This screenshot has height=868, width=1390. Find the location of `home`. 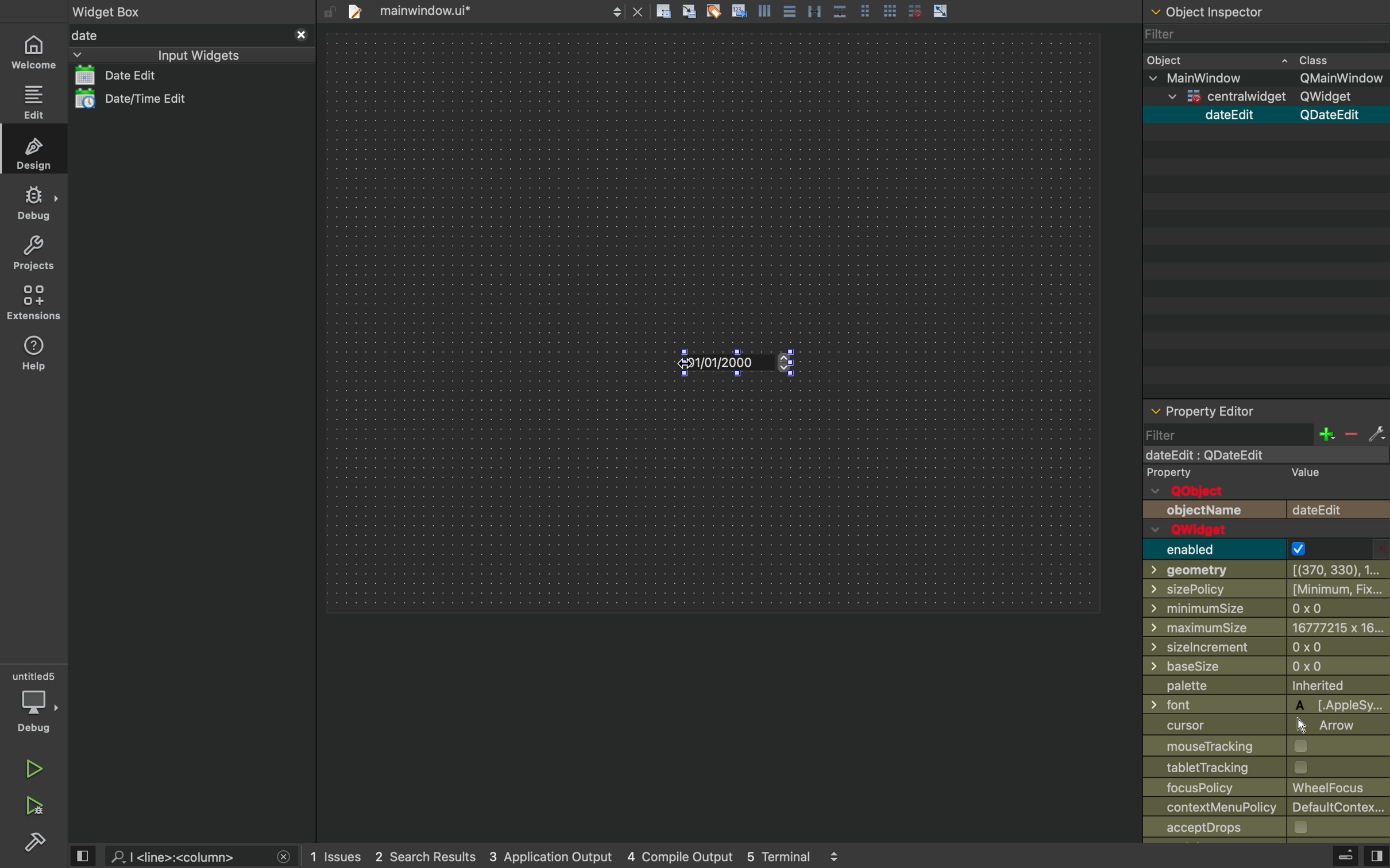

home is located at coordinates (32, 51).